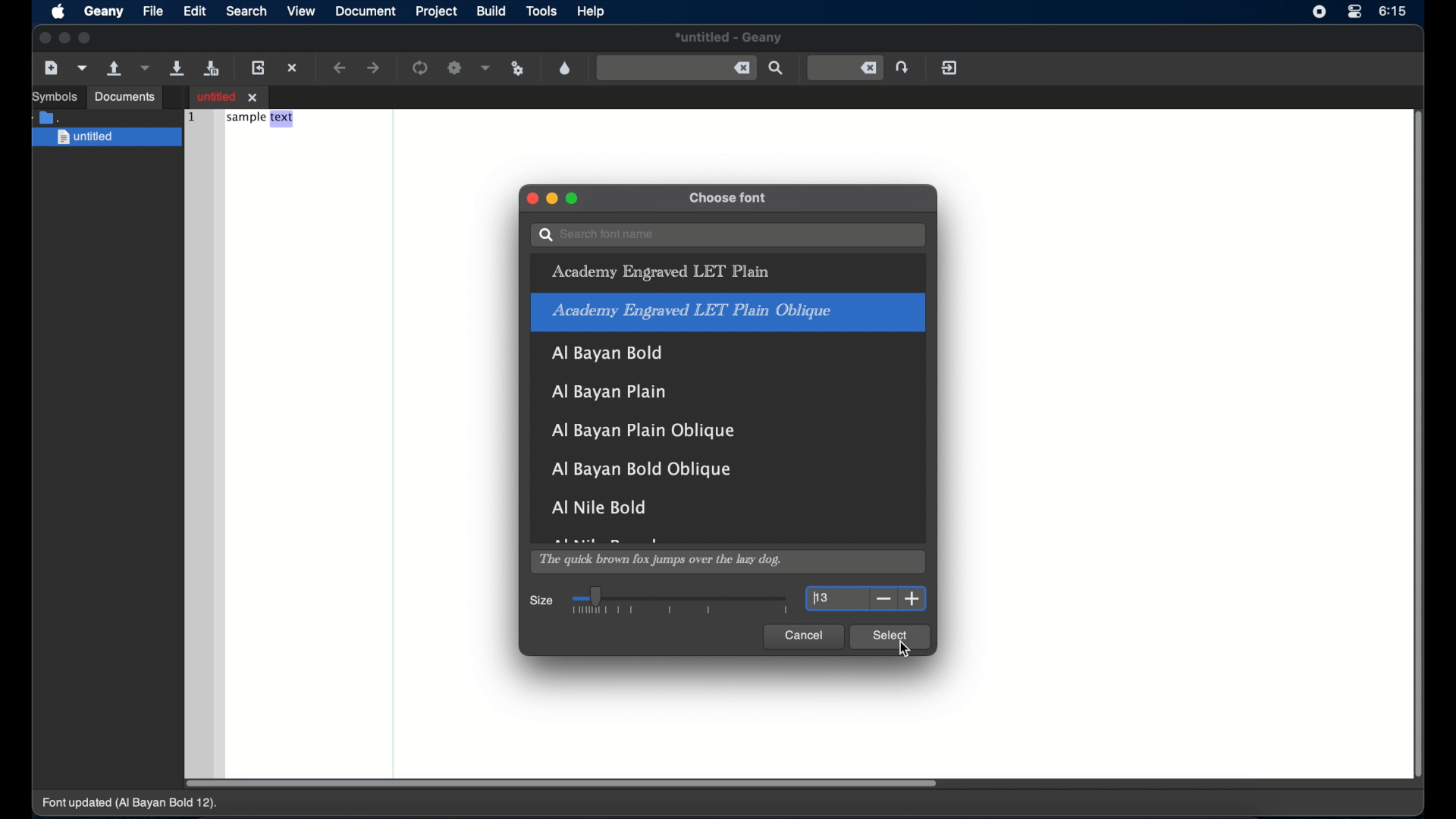 The height and width of the screenshot is (819, 1456). I want to click on minimize , so click(553, 199).